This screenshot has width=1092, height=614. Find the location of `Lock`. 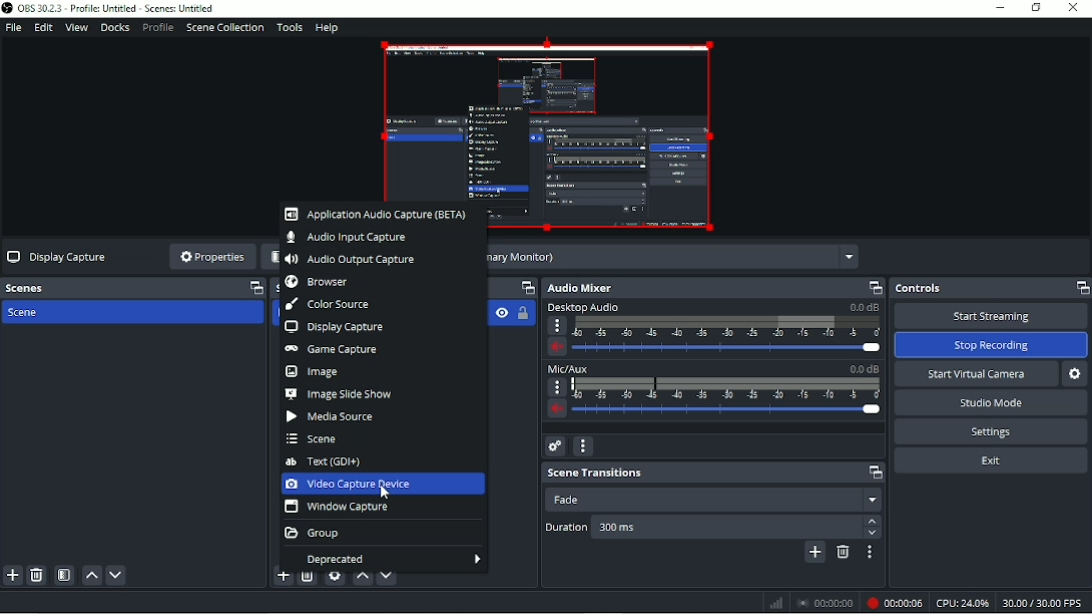

Lock is located at coordinates (522, 313).